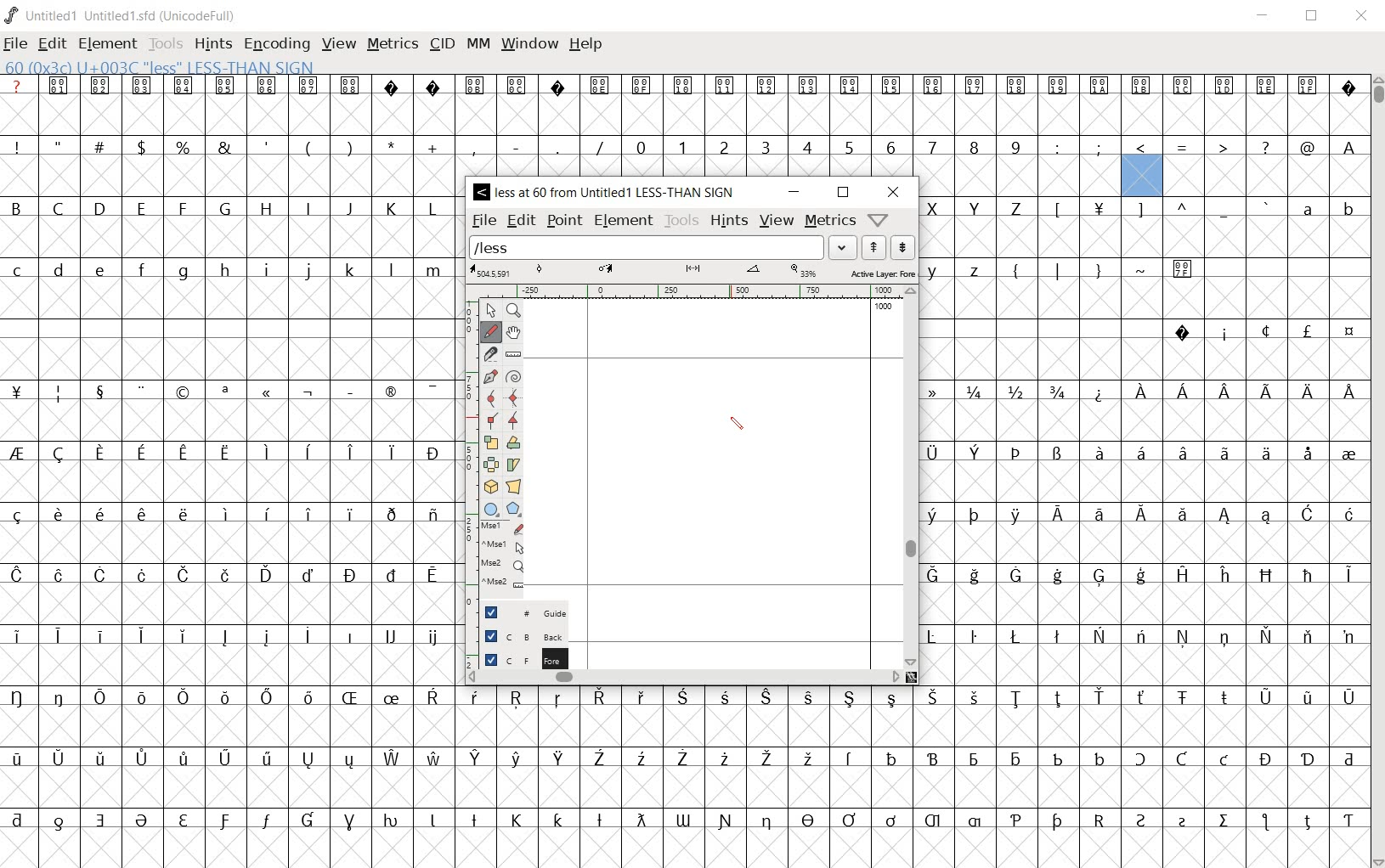  I want to click on fractions , so click(1002, 389).